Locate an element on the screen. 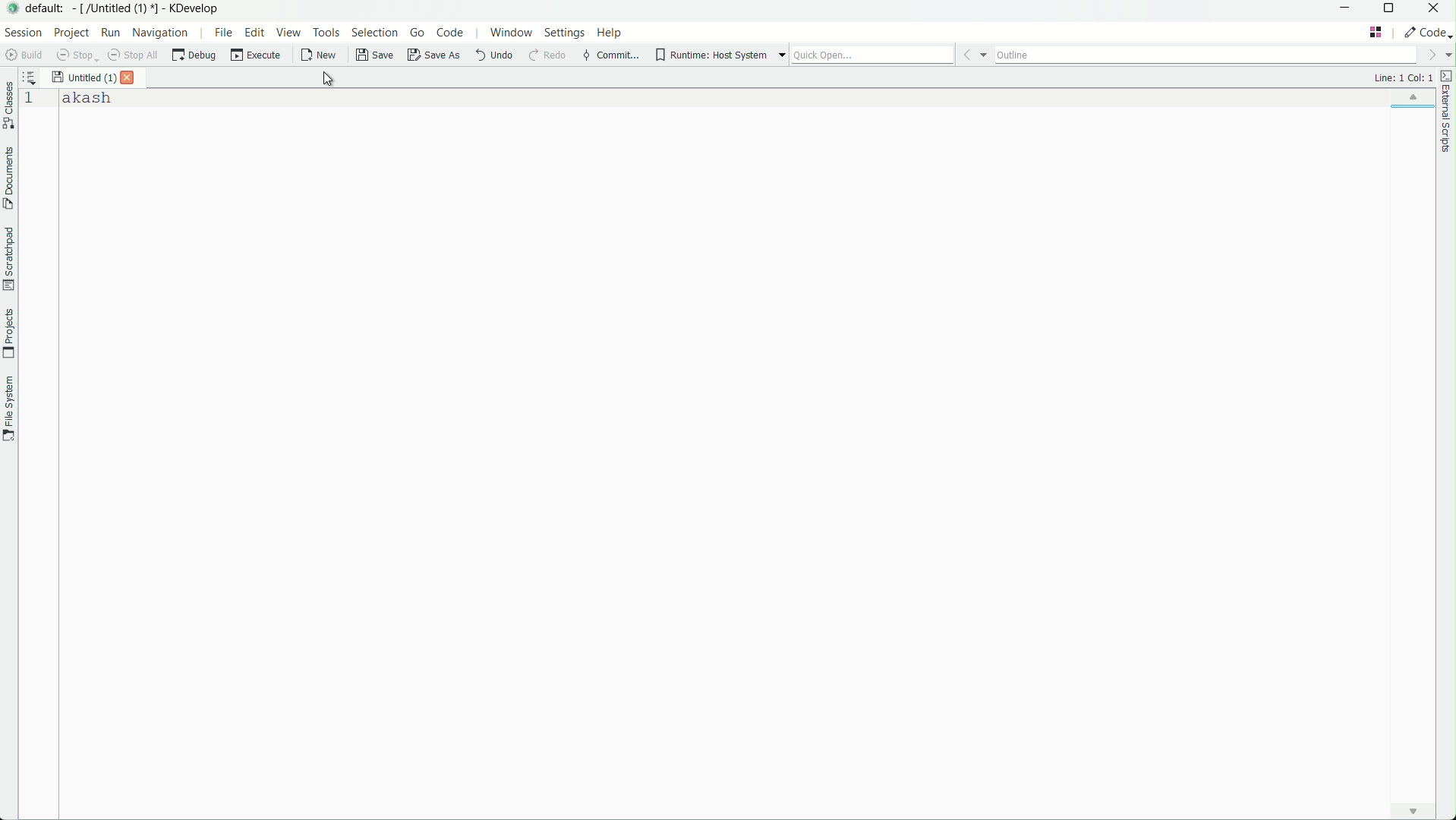  file system is located at coordinates (9, 408).